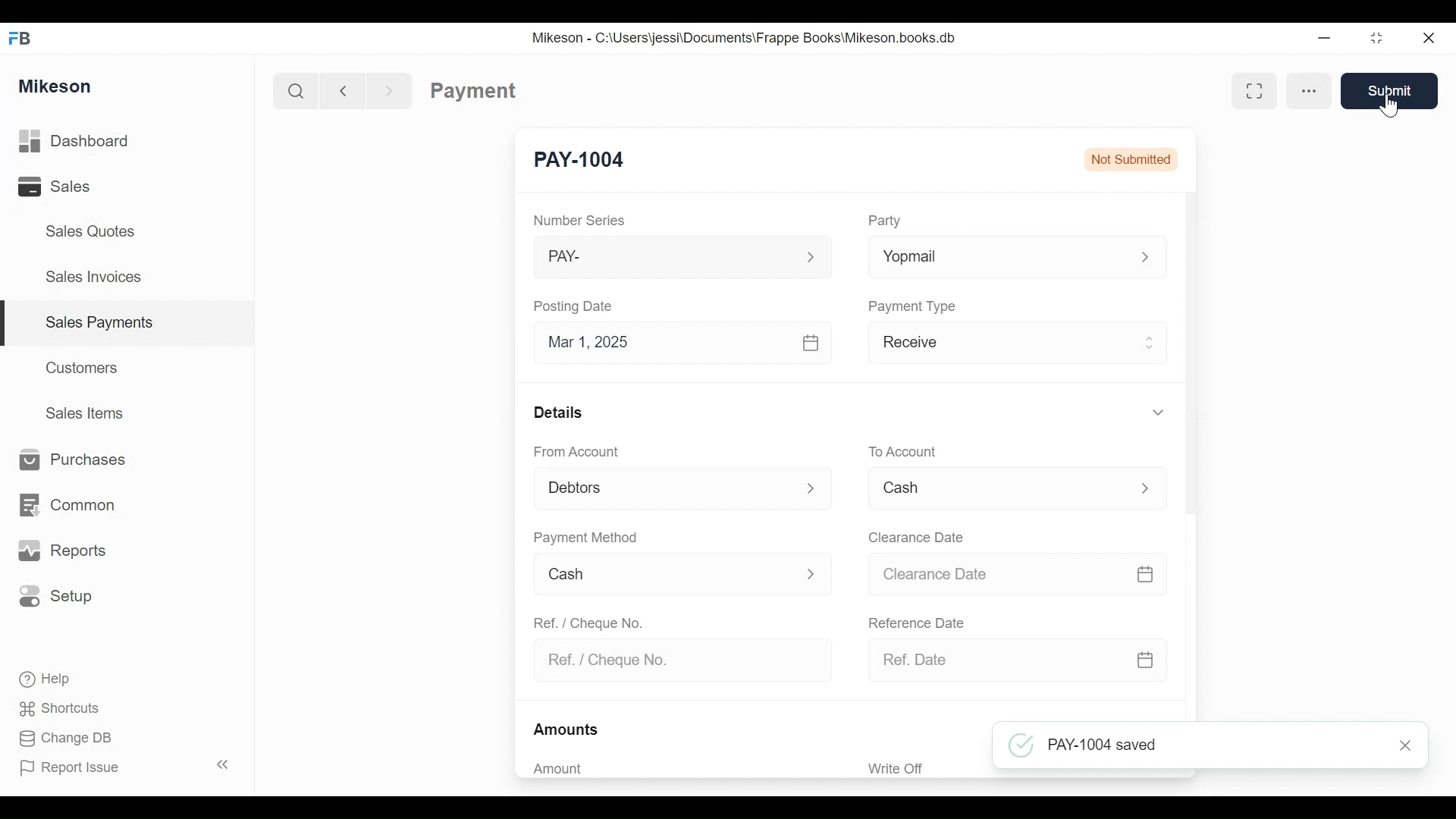  I want to click on Help, so click(56, 679).